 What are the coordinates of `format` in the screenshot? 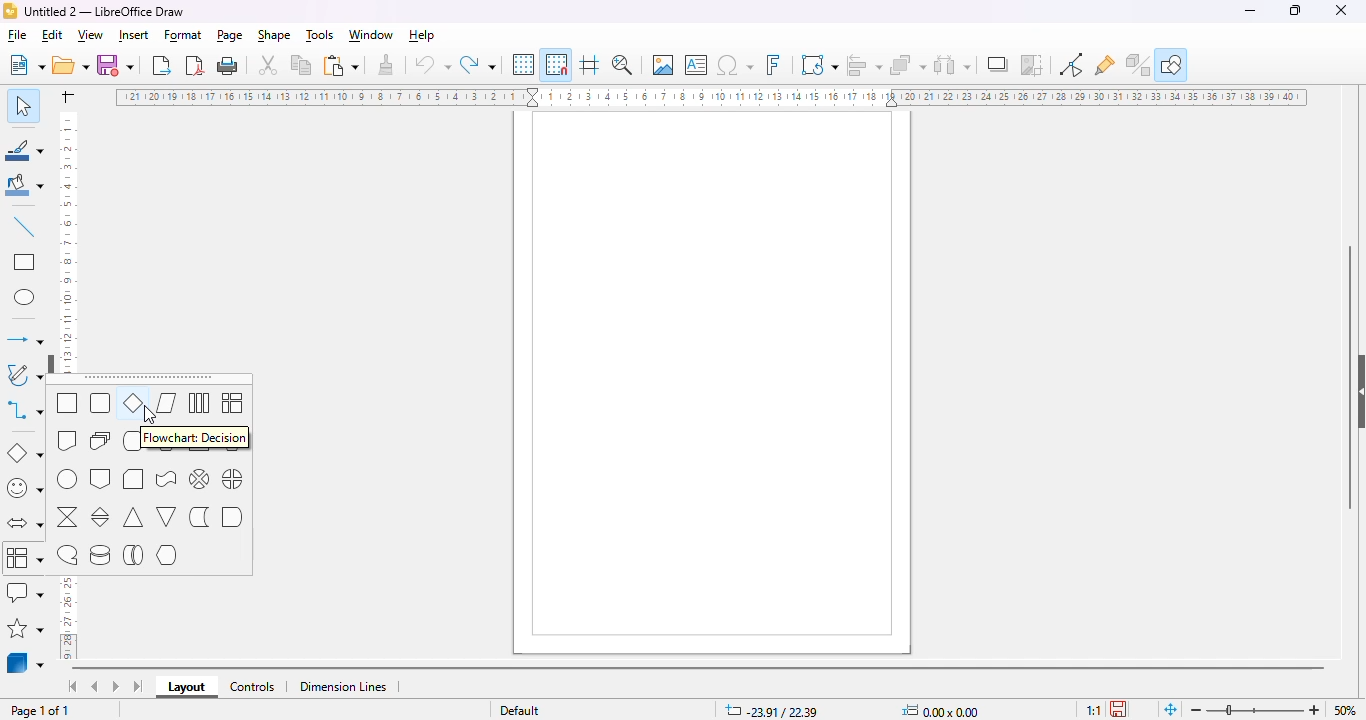 It's located at (184, 36).